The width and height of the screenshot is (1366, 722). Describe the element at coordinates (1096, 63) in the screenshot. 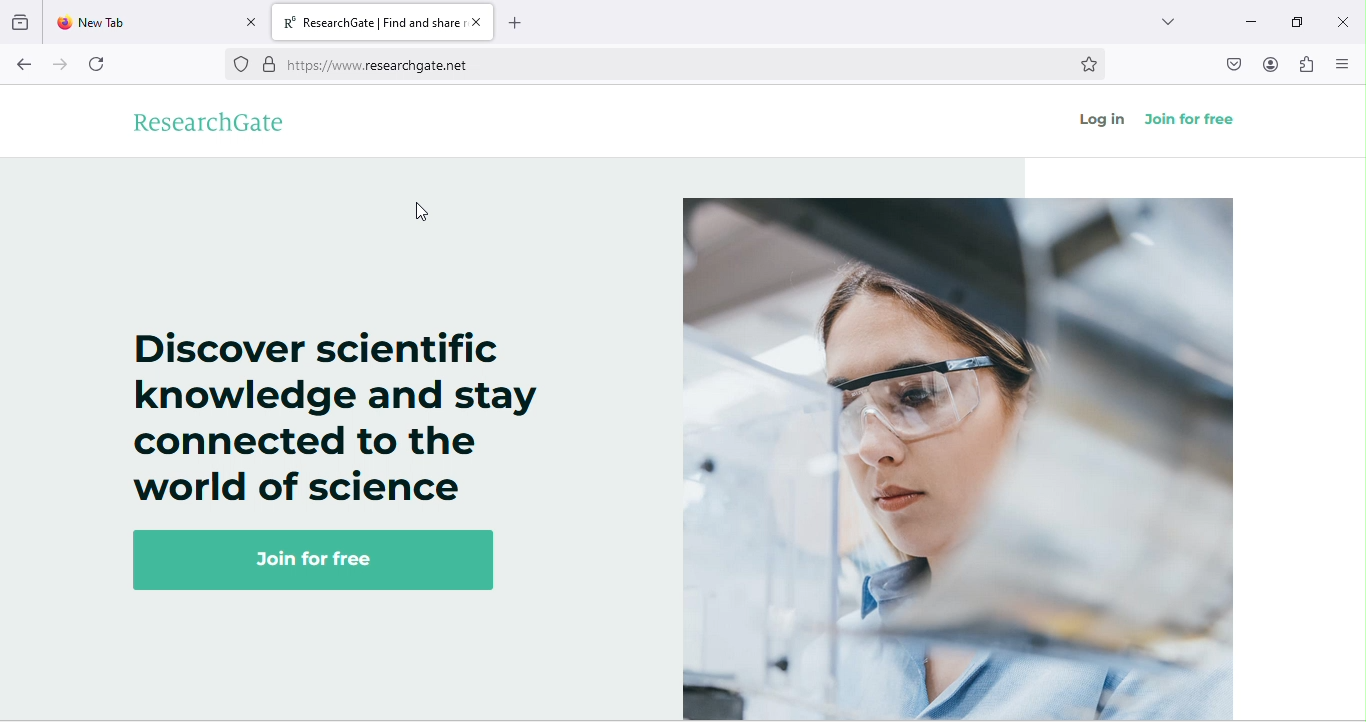

I see `bookmark` at that location.